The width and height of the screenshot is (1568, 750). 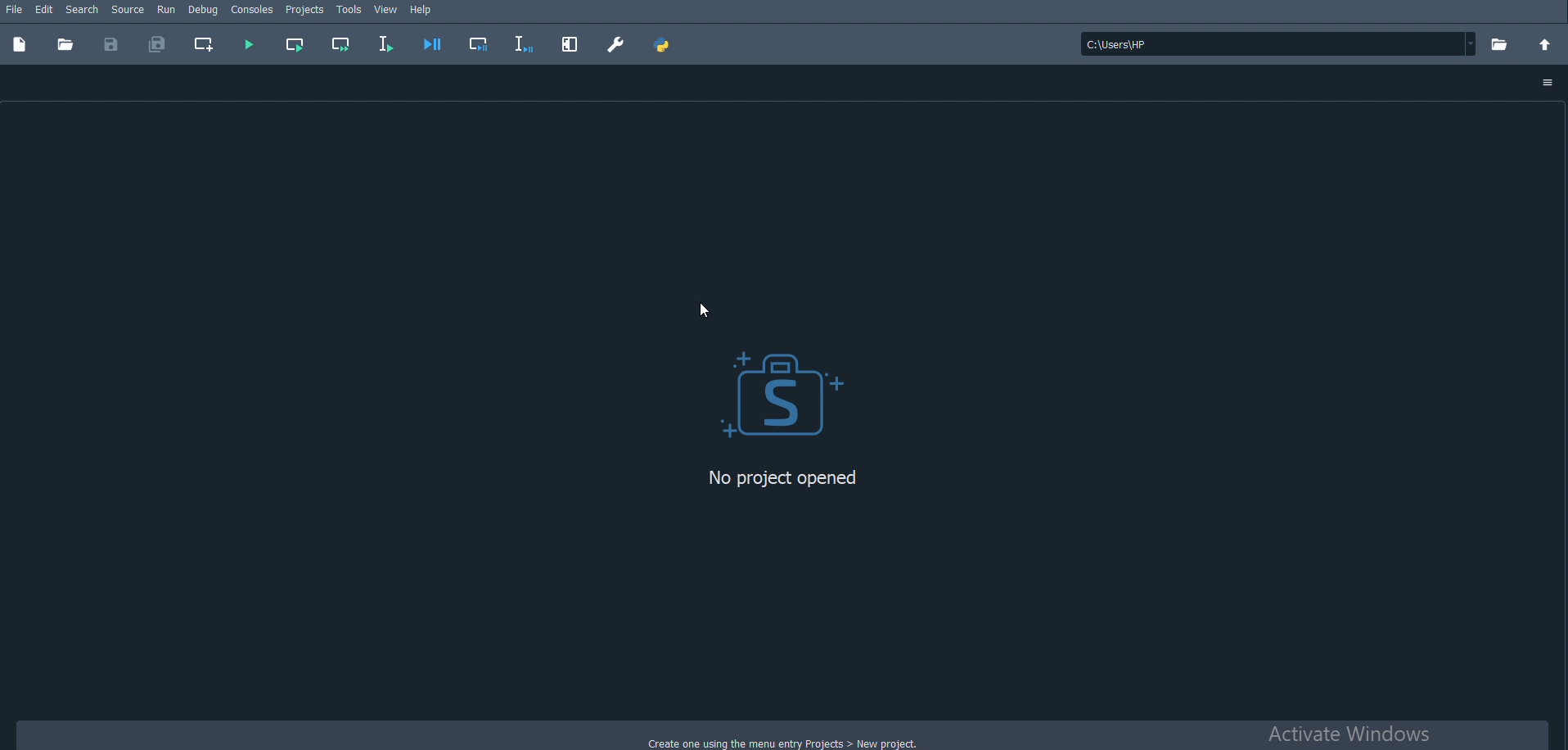 I want to click on Debug selection or current line, so click(x=524, y=43).